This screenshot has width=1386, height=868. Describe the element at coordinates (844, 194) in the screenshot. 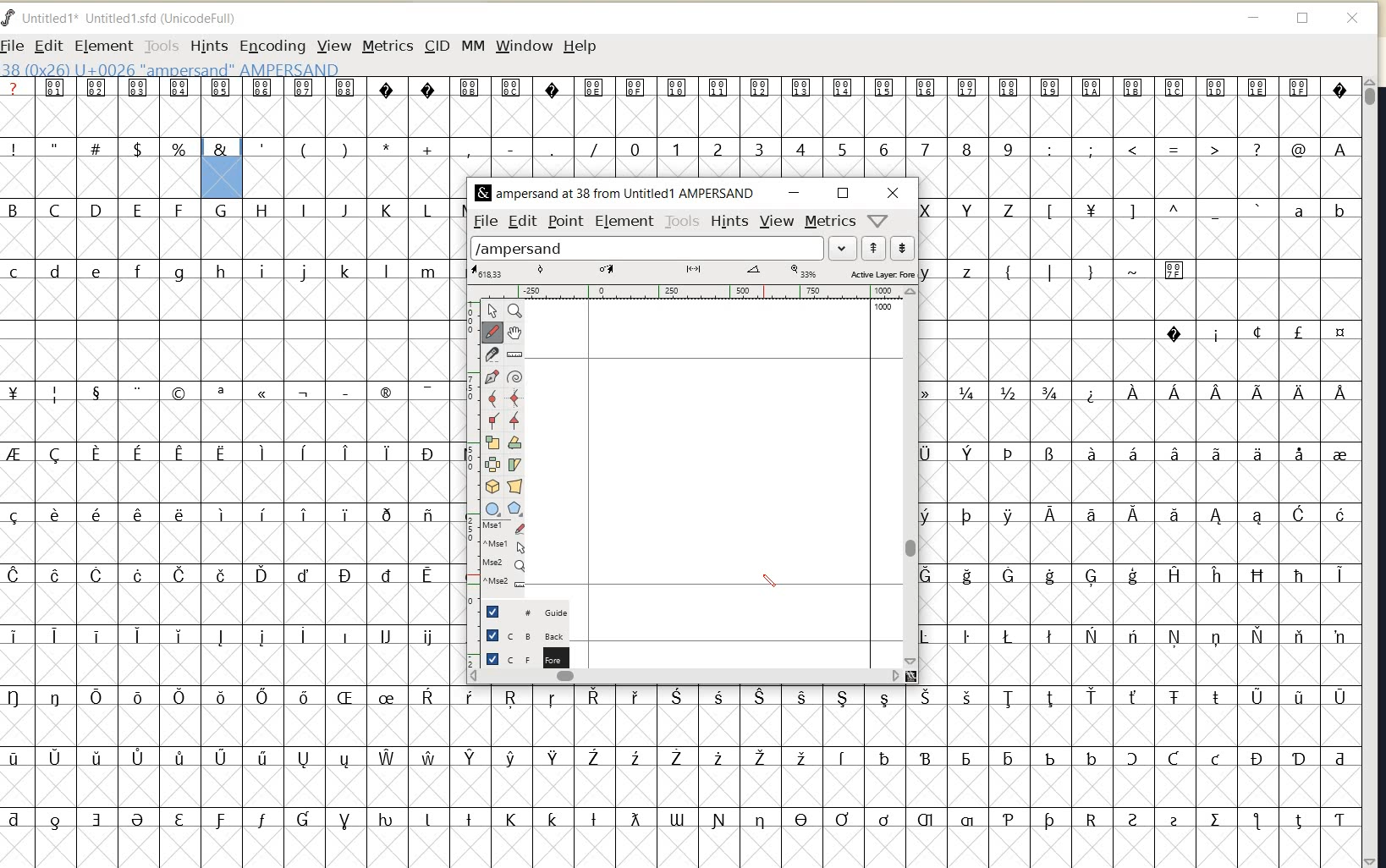

I see `RESTORE` at that location.